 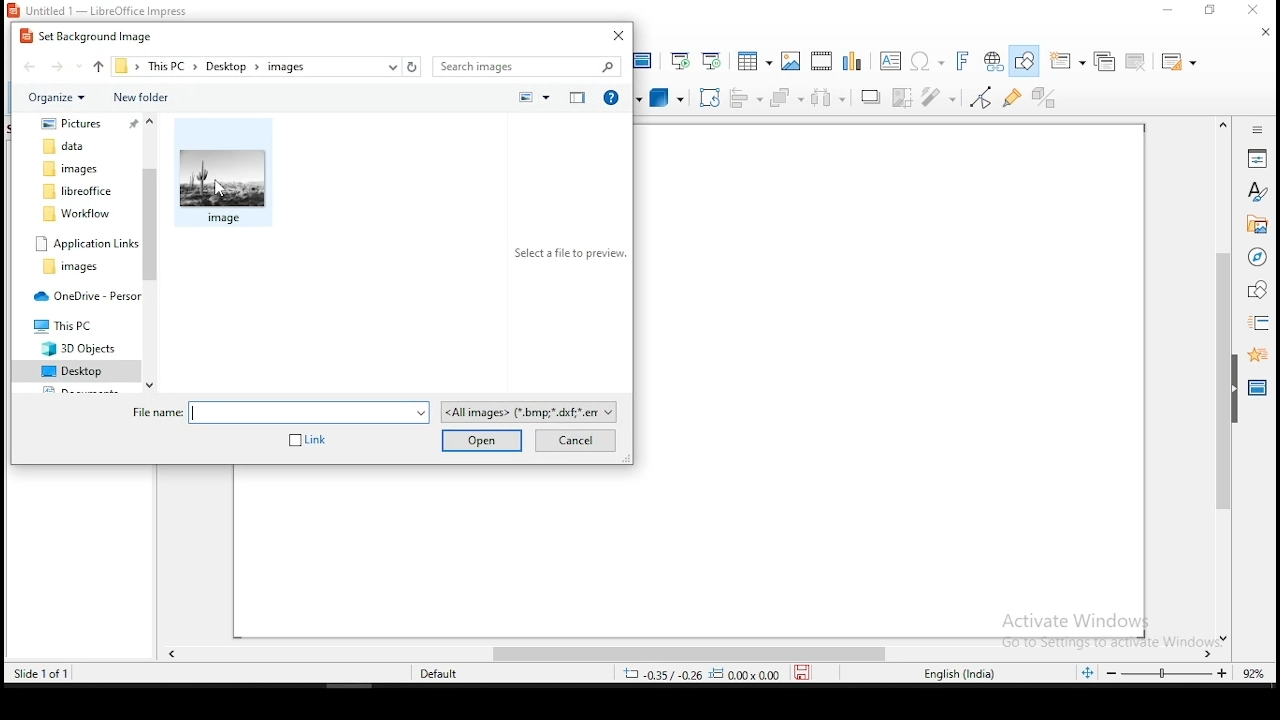 I want to click on scroll bar, so click(x=149, y=252).